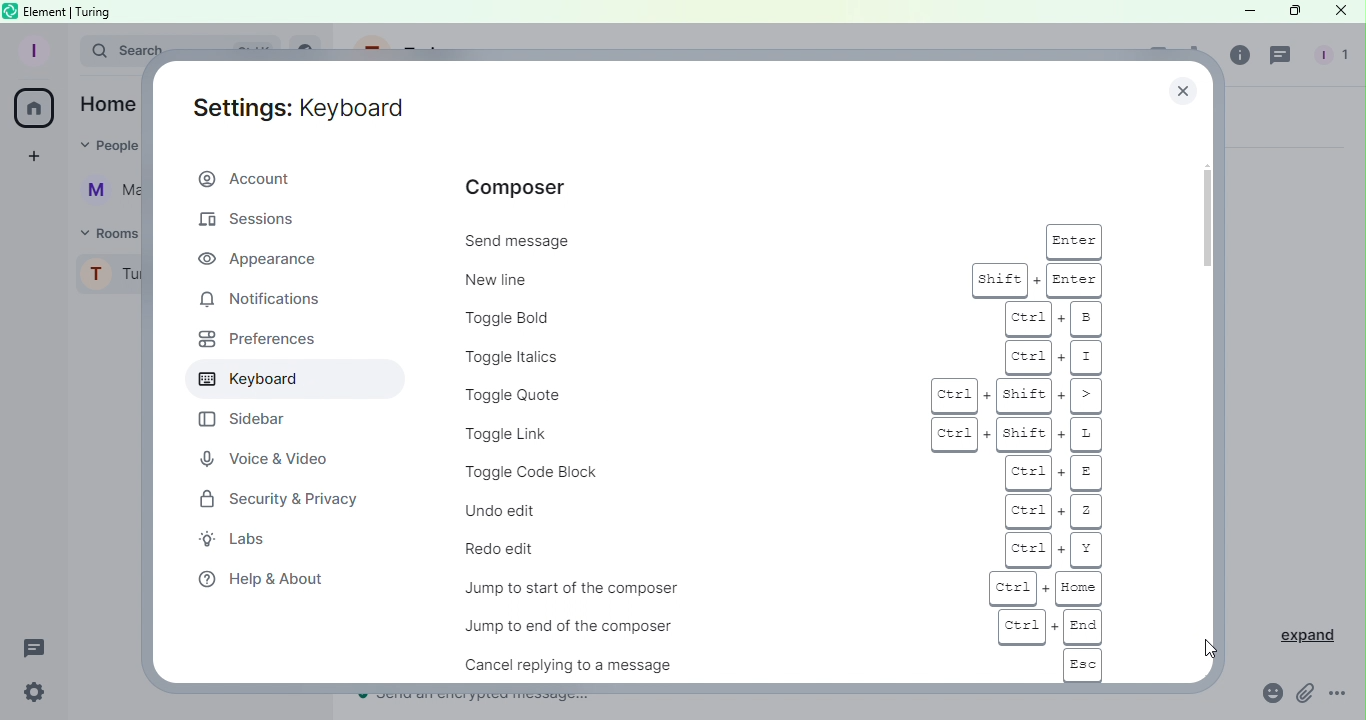 This screenshot has width=1366, height=720. I want to click on People, so click(112, 145).